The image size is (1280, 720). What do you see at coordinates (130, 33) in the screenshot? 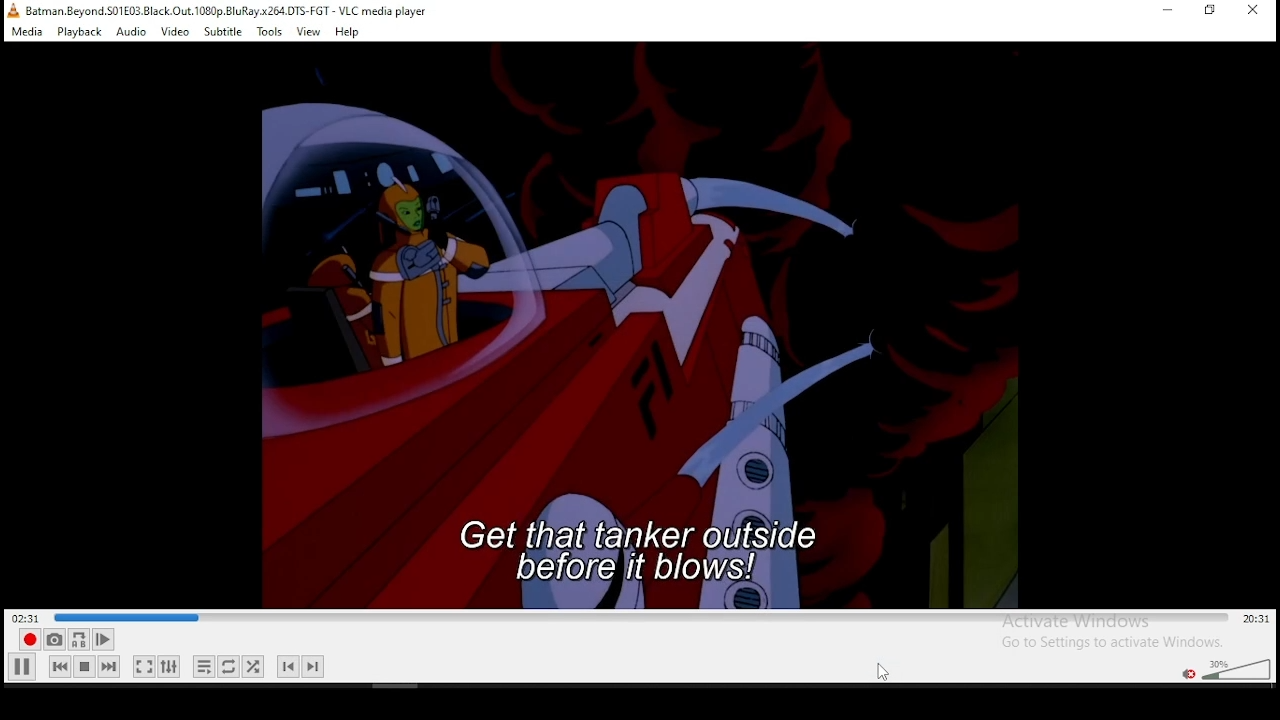
I see `audio` at bounding box center [130, 33].